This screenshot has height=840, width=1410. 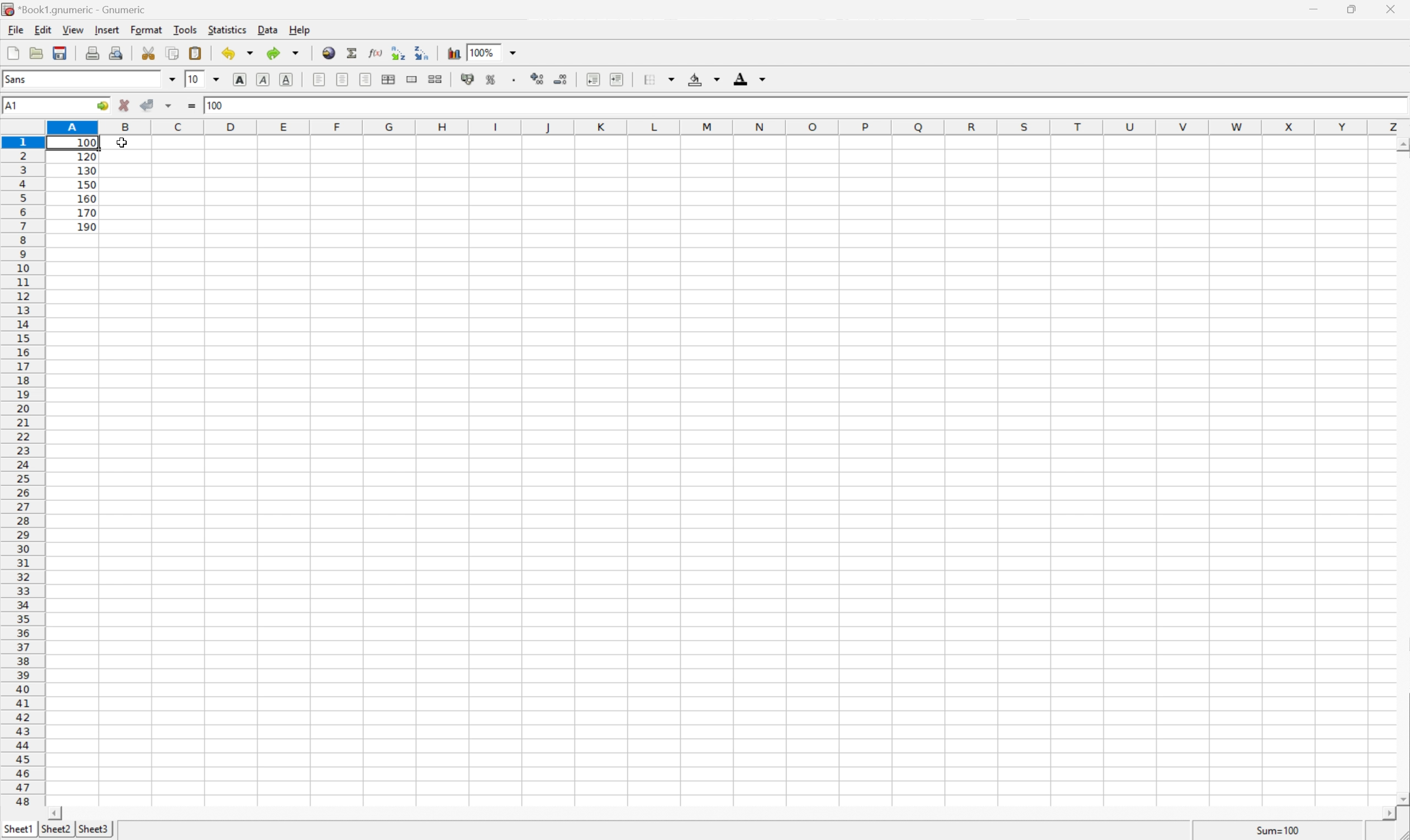 What do you see at coordinates (700, 79) in the screenshot?
I see `Background` at bounding box center [700, 79].